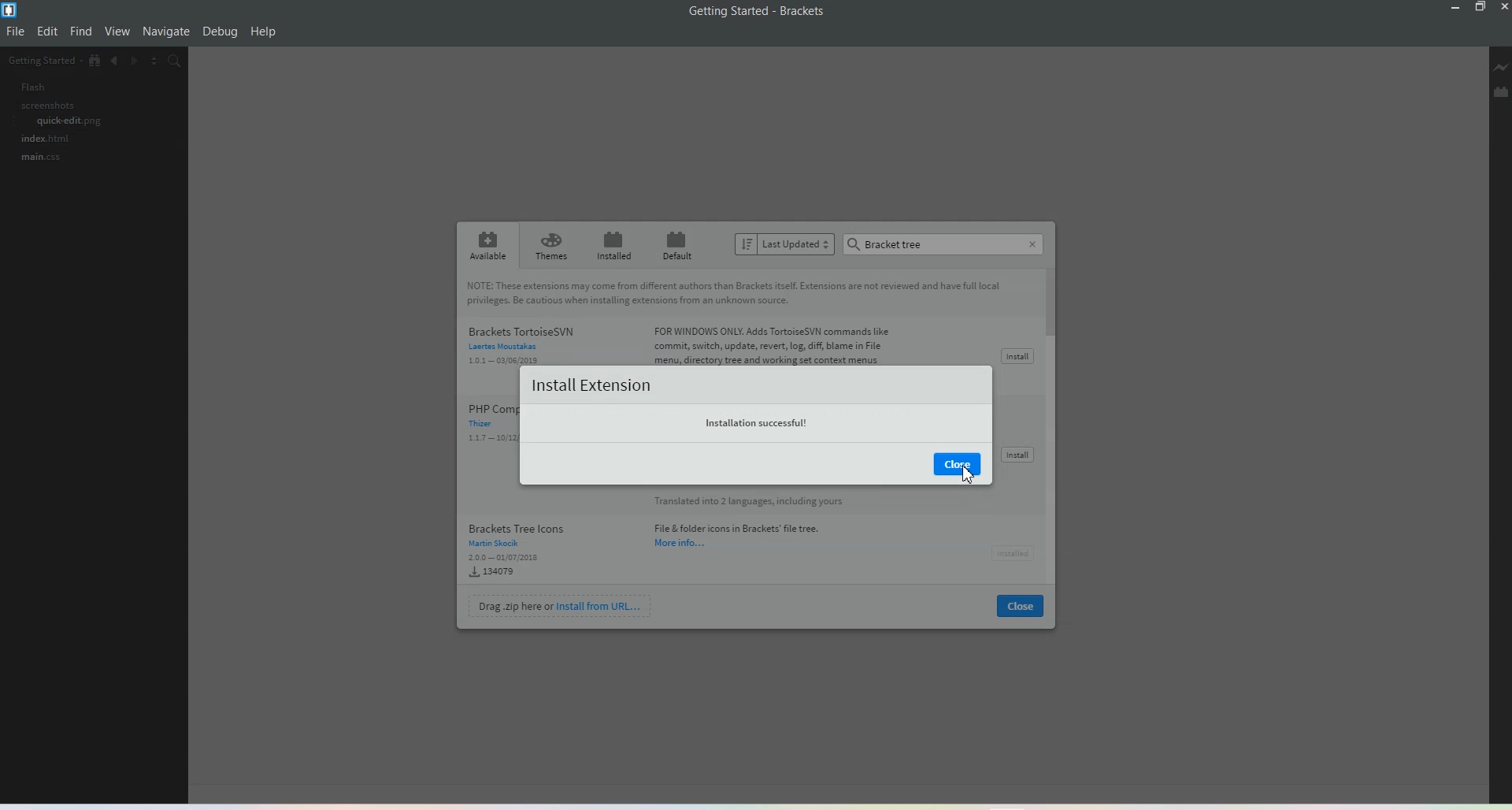 This screenshot has width=1512, height=810. What do you see at coordinates (17, 32) in the screenshot?
I see `File` at bounding box center [17, 32].